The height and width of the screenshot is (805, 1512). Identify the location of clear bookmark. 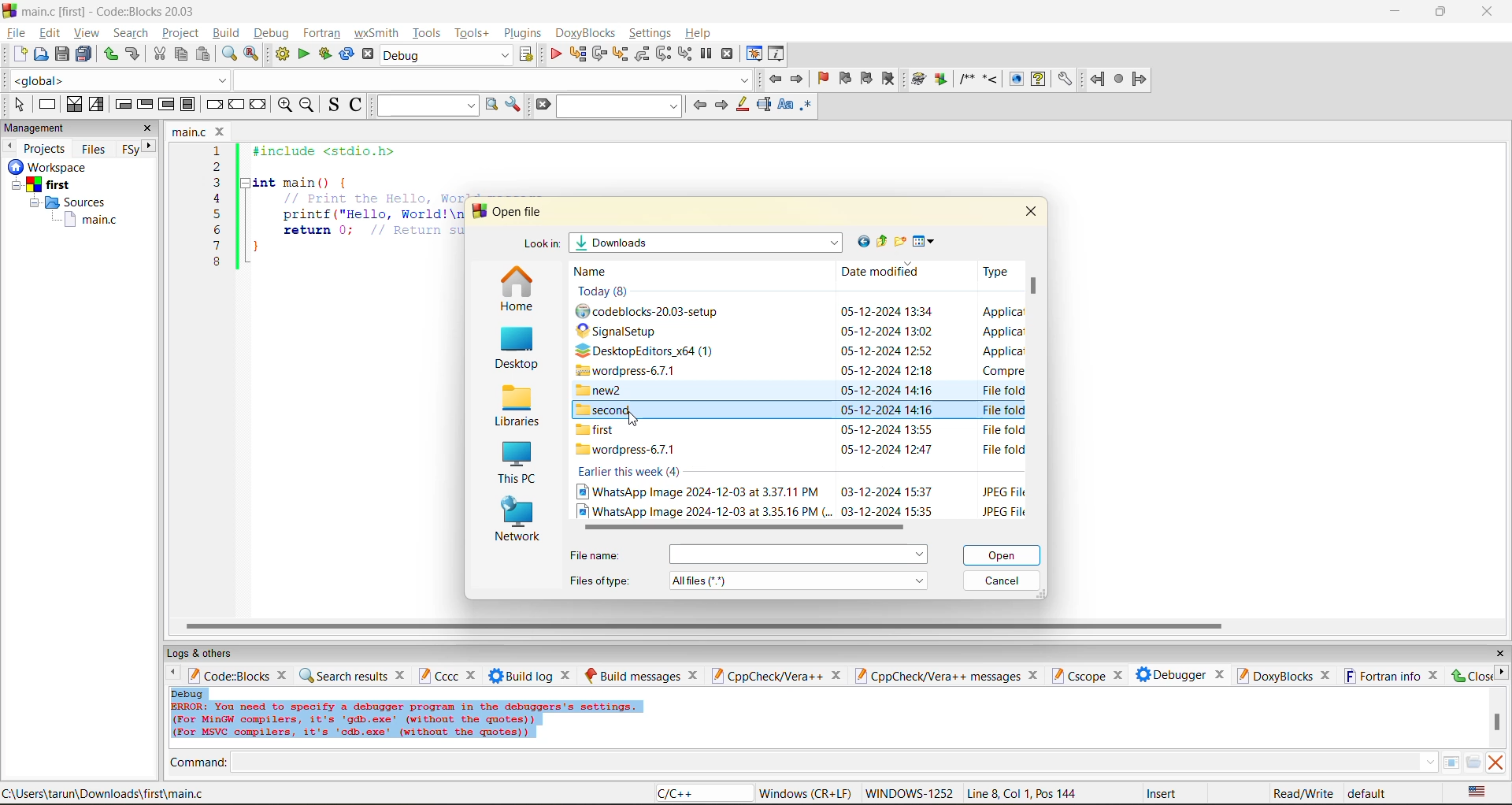
(888, 78).